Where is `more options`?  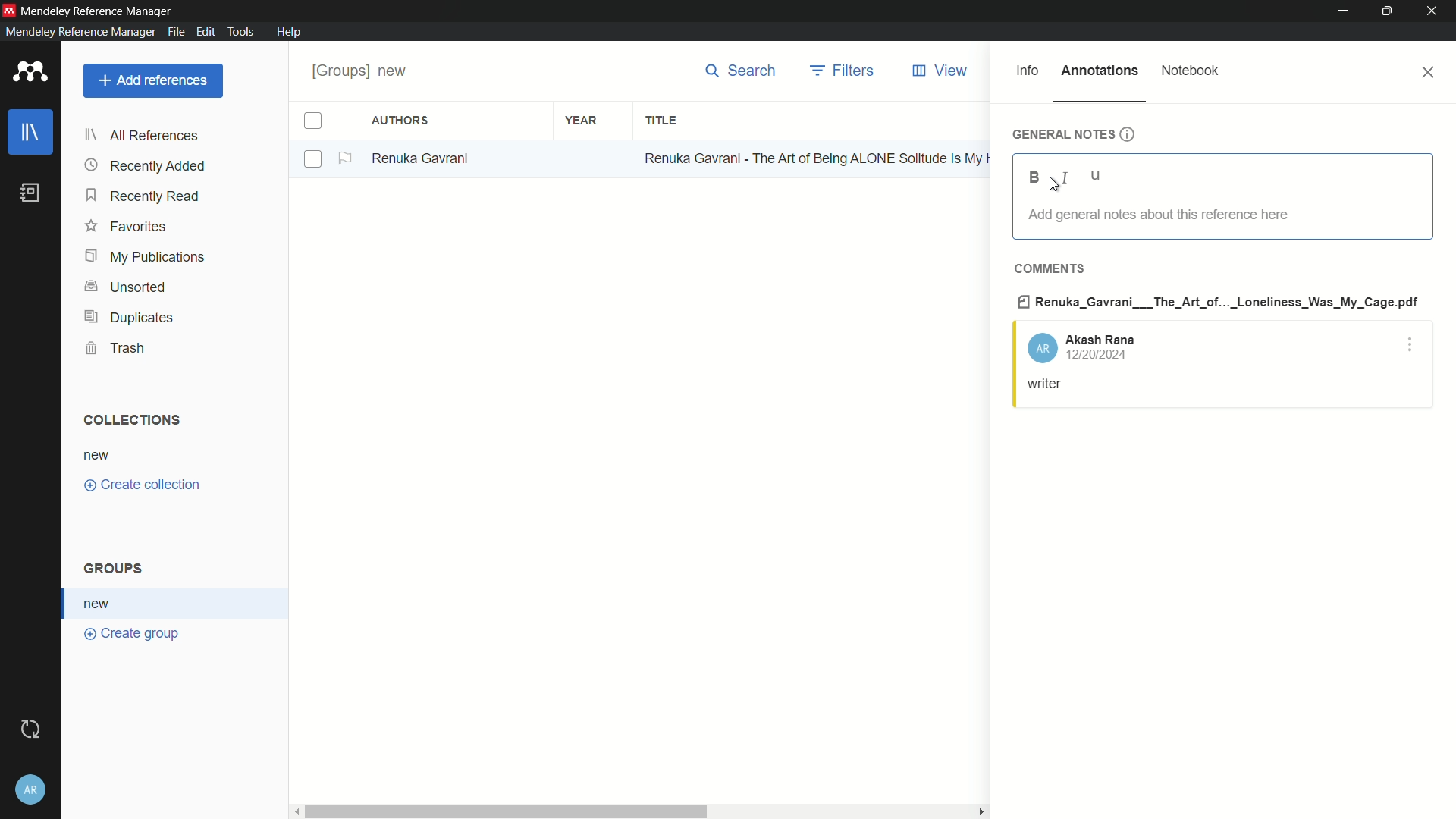
more options is located at coordinates (1411, 347).